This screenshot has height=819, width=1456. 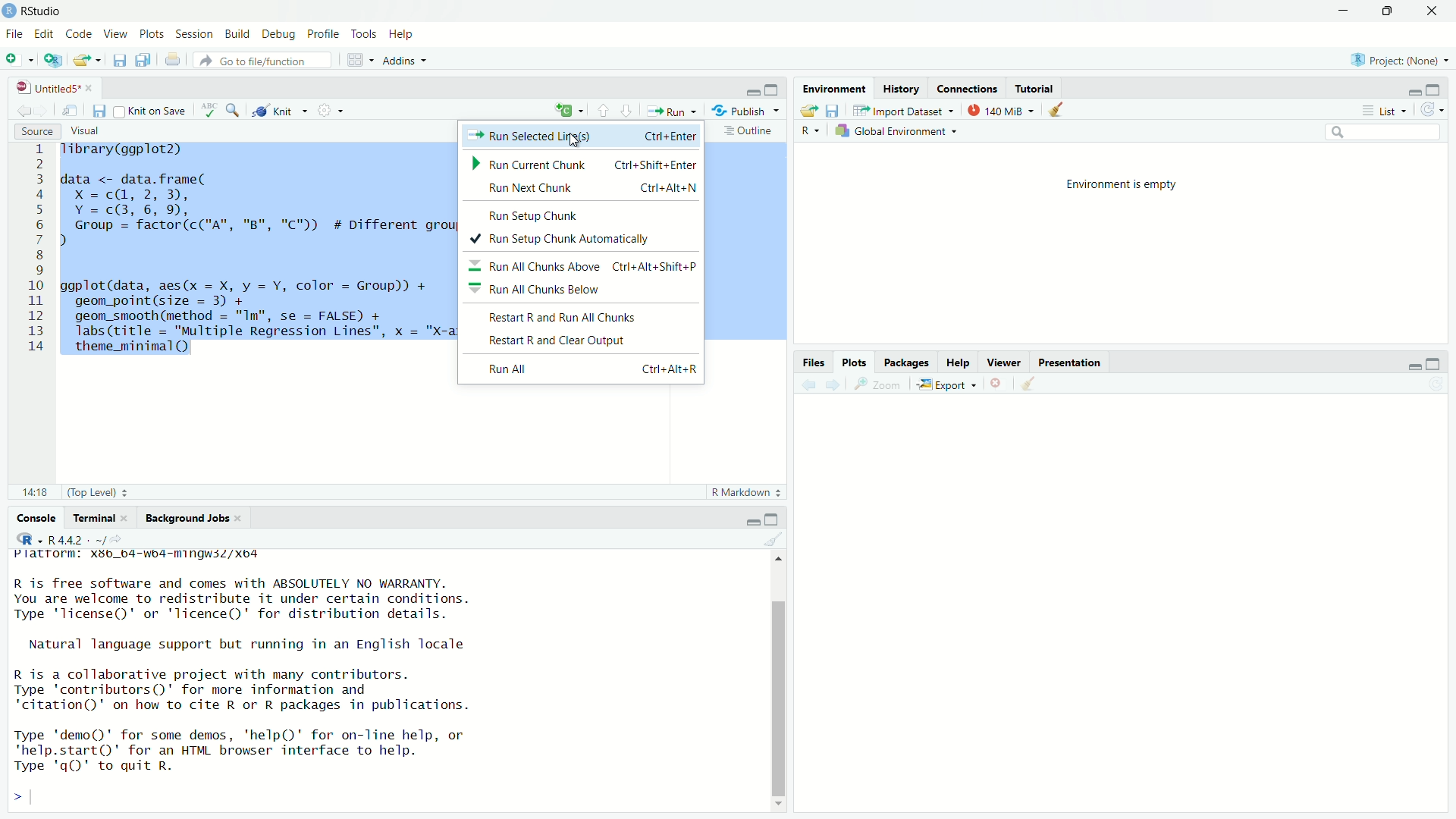 I want to click on Global Environment ~, so click(x=898, y=130).